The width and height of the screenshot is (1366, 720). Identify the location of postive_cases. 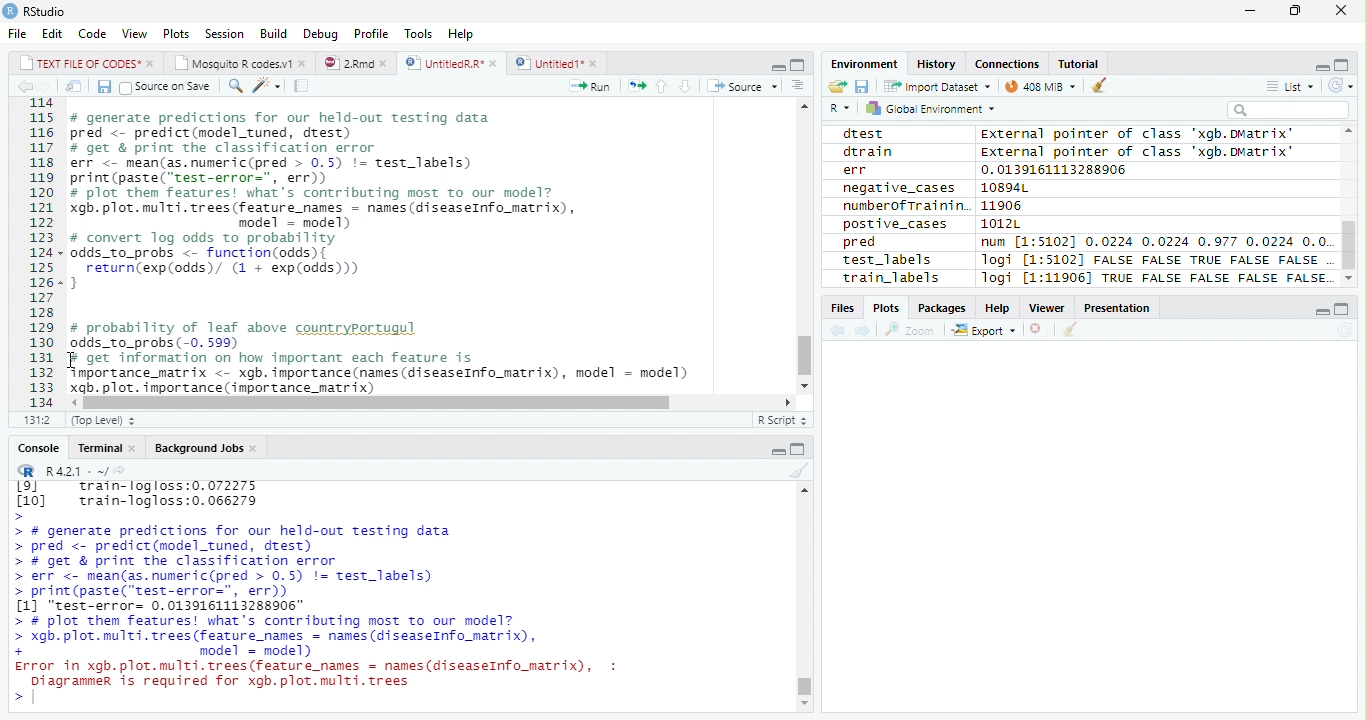
(894, 224).